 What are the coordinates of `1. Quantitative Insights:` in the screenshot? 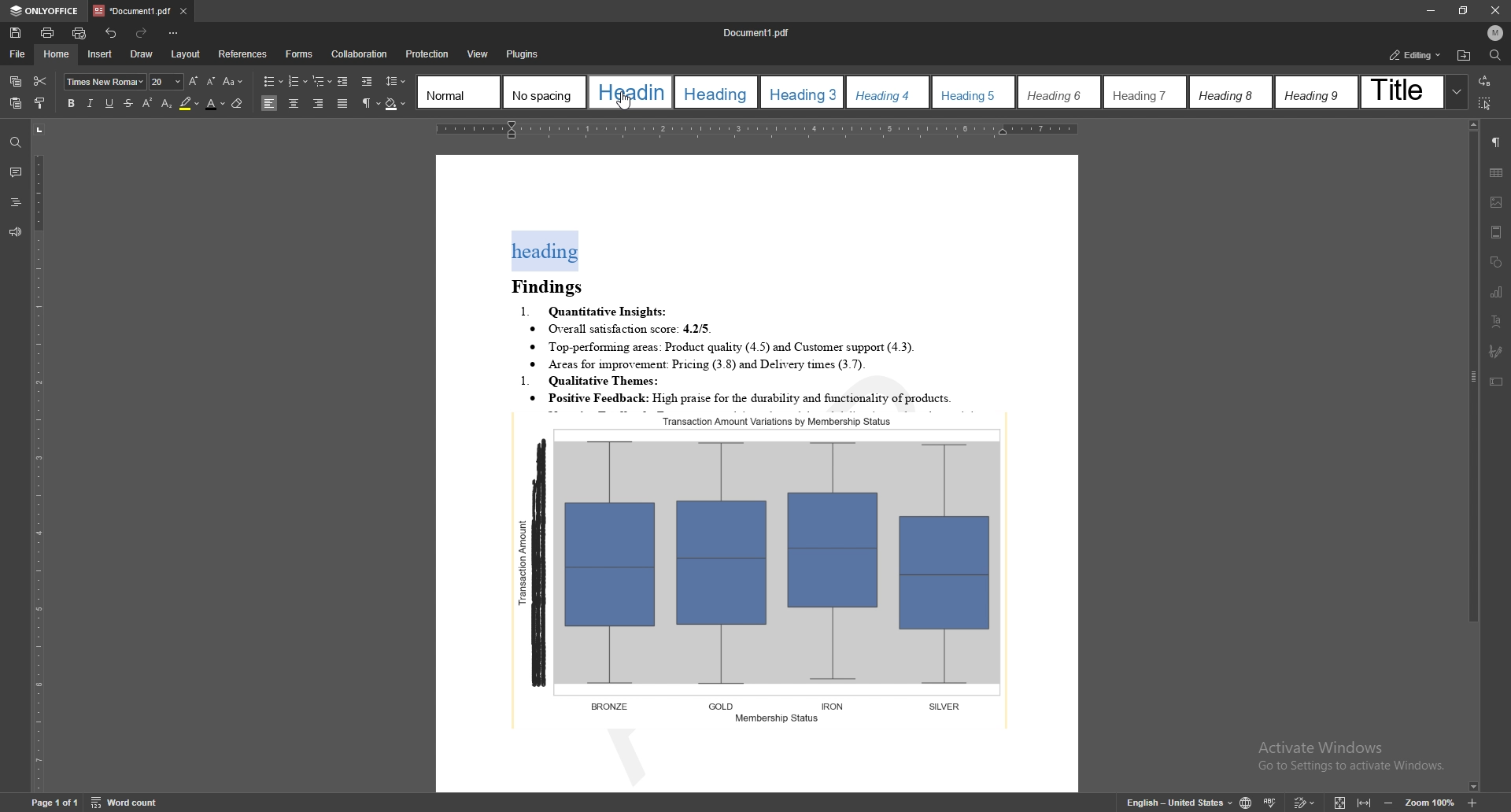 It's located at (597, 308).